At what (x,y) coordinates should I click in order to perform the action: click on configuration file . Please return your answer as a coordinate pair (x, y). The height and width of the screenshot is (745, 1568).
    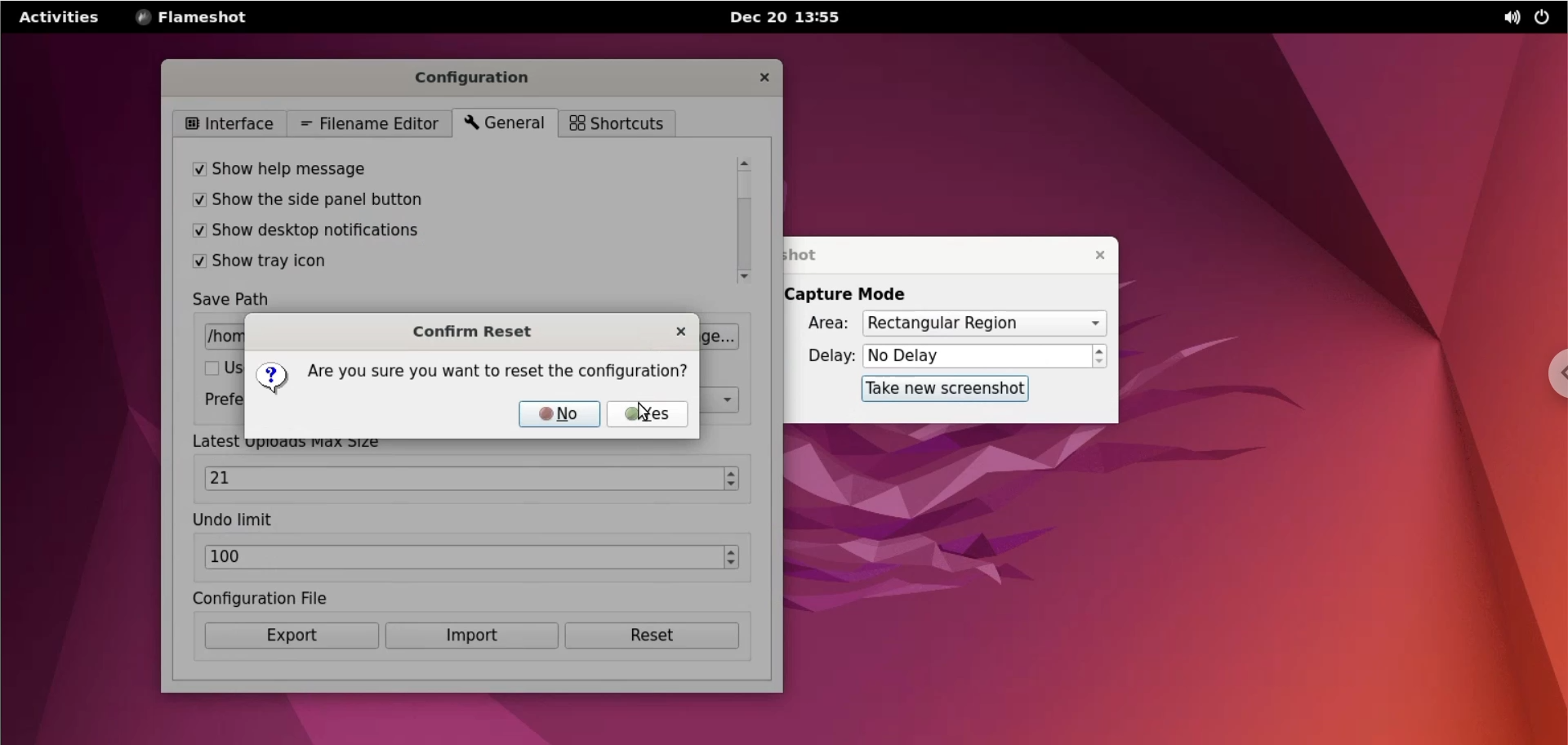
    Looking at the image, I should click on (287, 598).